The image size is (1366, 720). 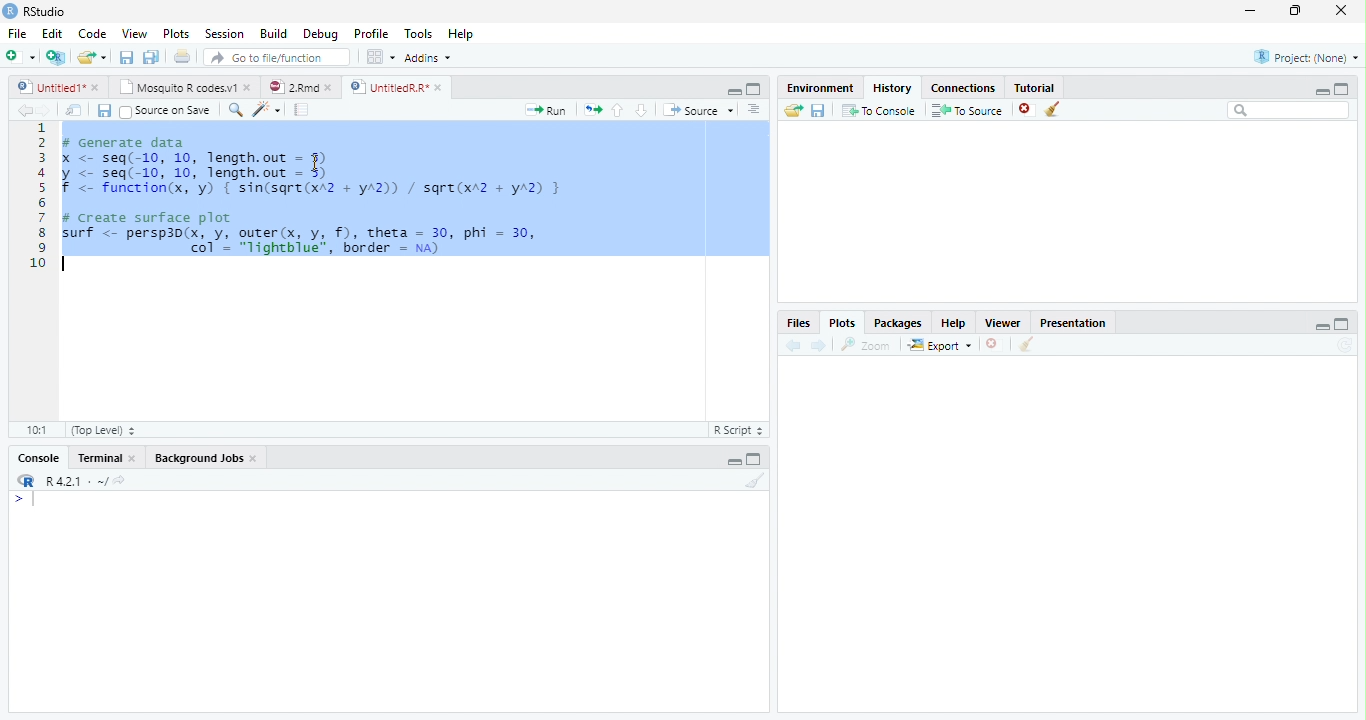 What do you see at coordinates (19, 57) in the screenshot?
I see `New file` at bounding box center [19, 57].